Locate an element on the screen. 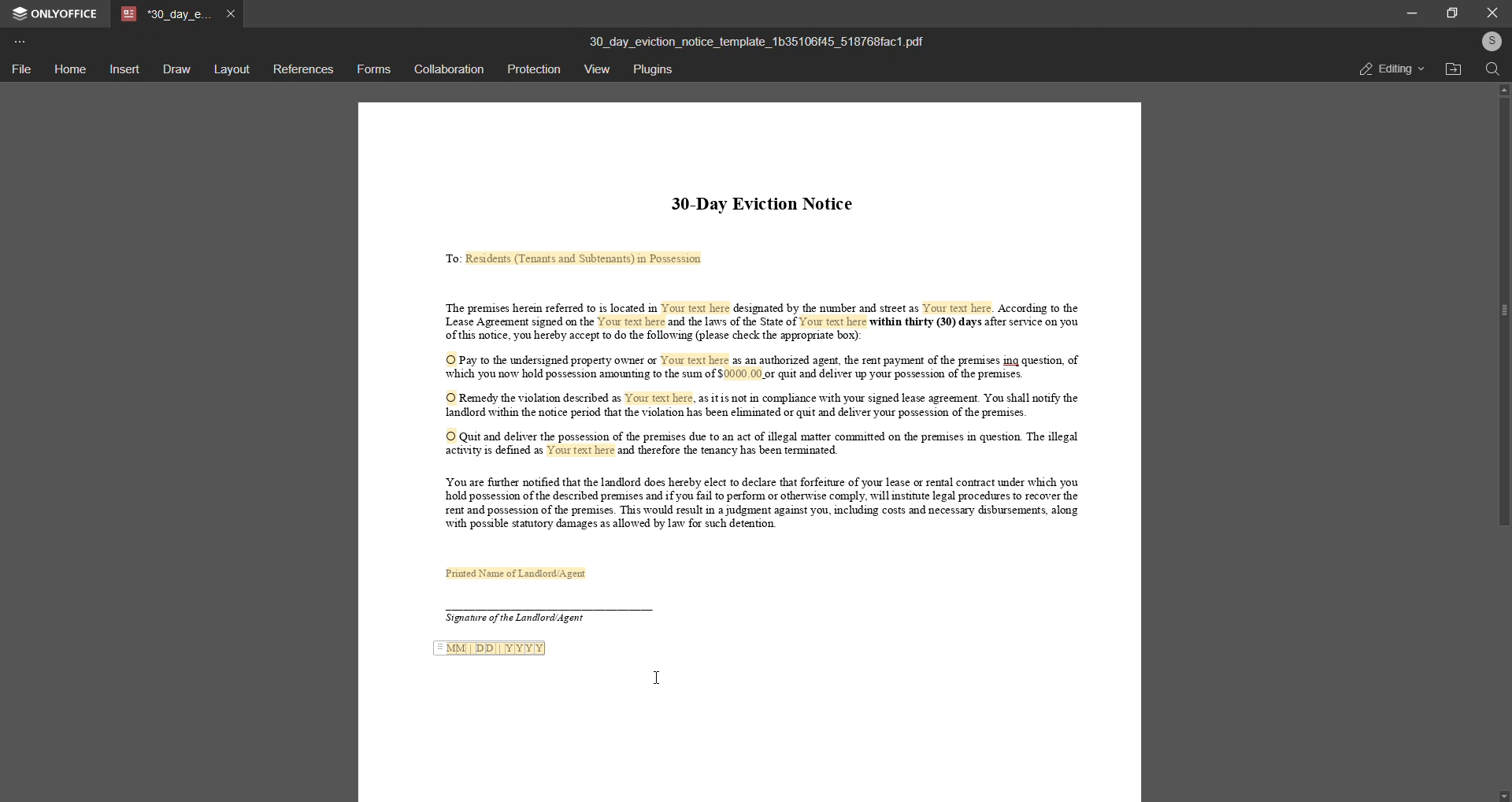  close tab is located at coordinates (234, 13).